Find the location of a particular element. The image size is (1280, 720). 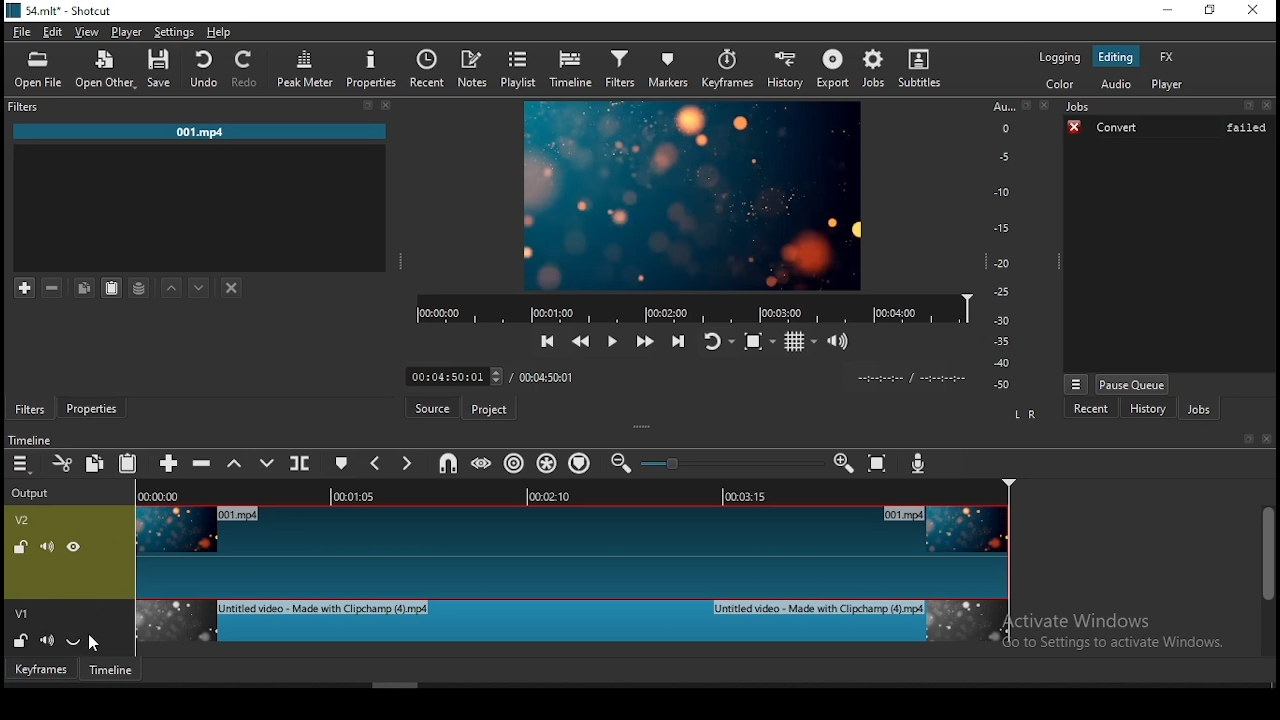

video track v1 is located at coordinates (571, 630).